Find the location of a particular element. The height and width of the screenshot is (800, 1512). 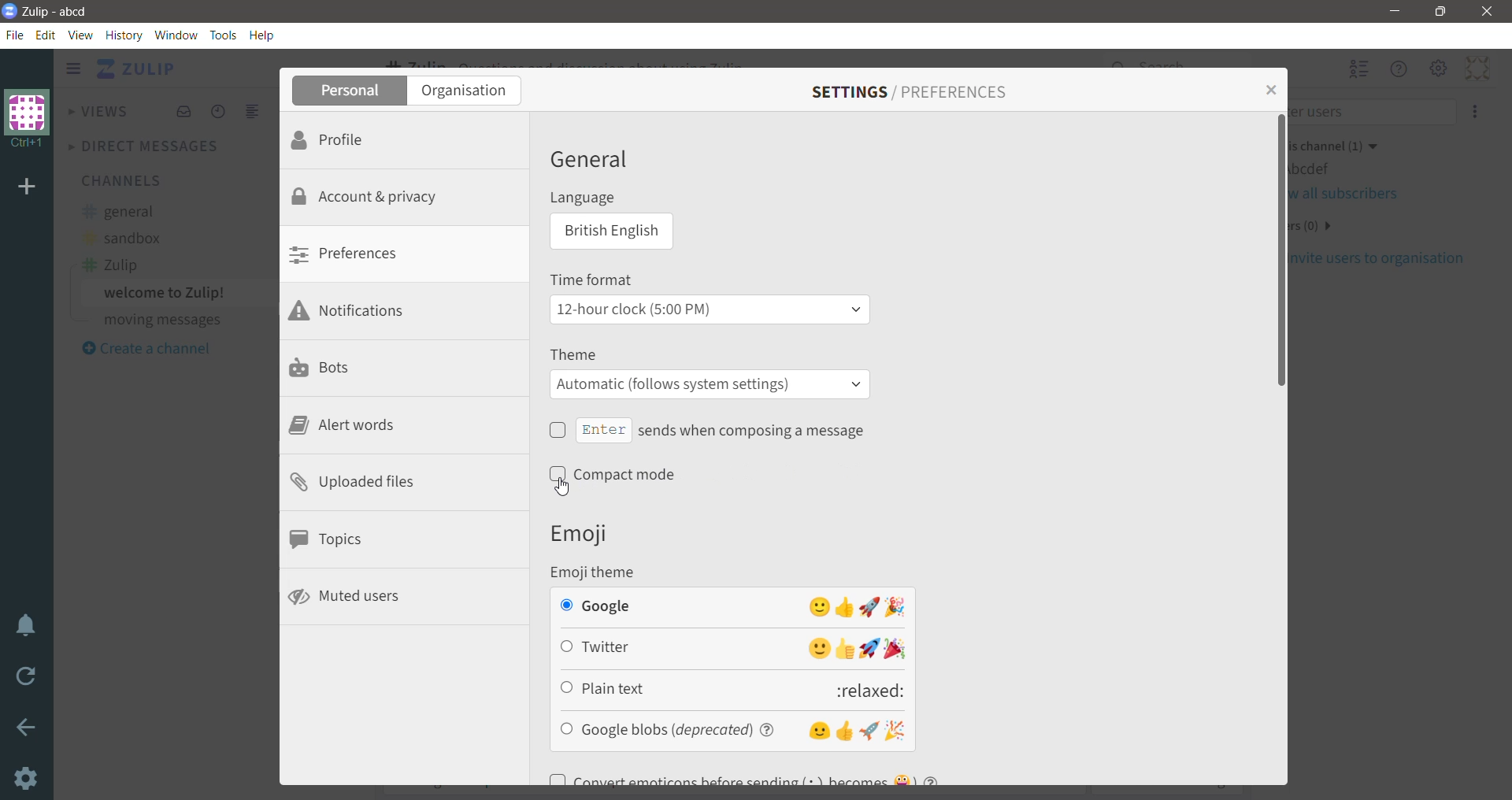

Go back is located at coordinates (27, 728).